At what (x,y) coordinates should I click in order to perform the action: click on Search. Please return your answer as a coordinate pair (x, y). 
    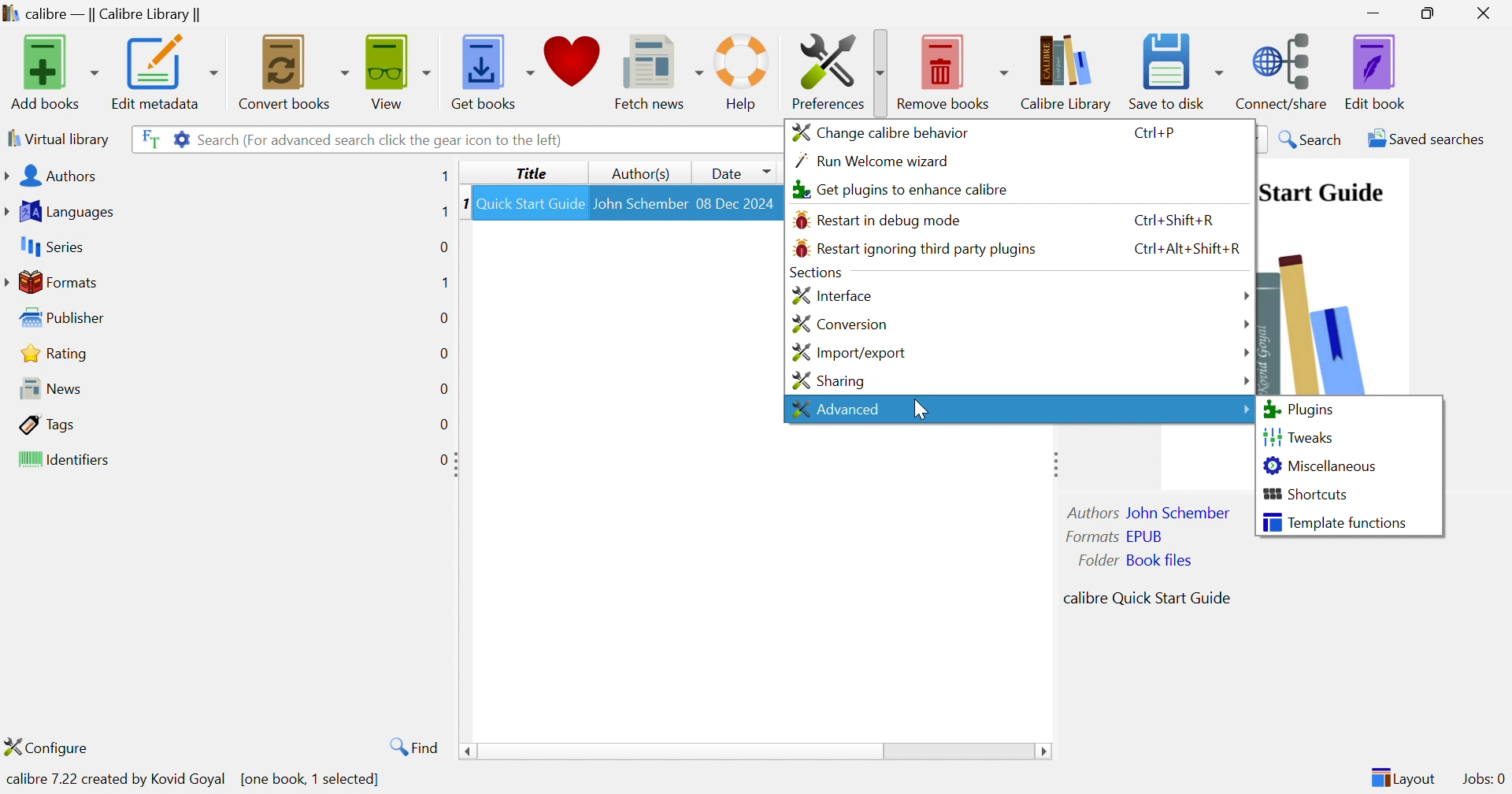
    Looking at the image, I should click on (1312, 139).